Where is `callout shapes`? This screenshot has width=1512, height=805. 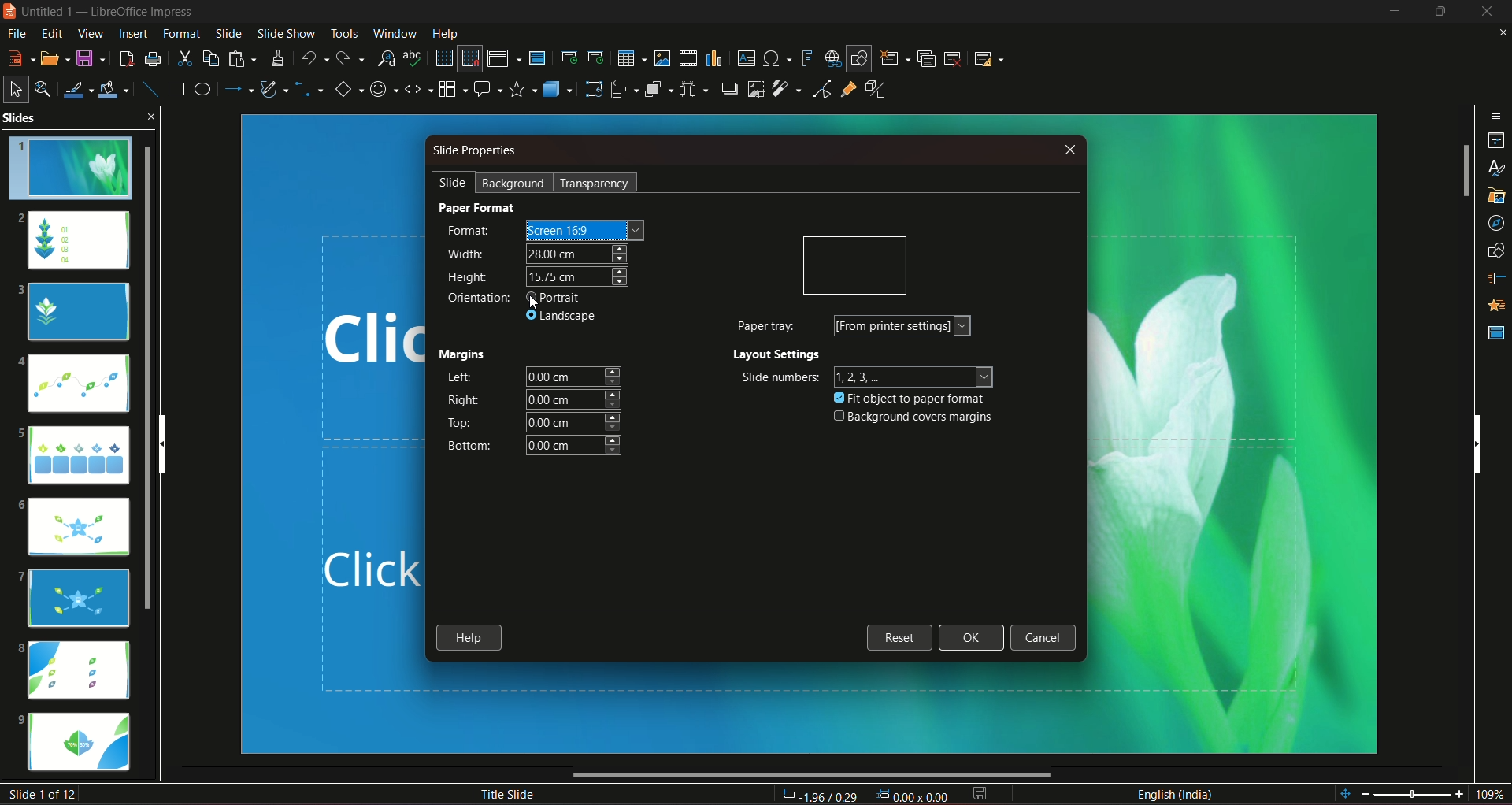
callout shapes is located at coordinates (488, 88).